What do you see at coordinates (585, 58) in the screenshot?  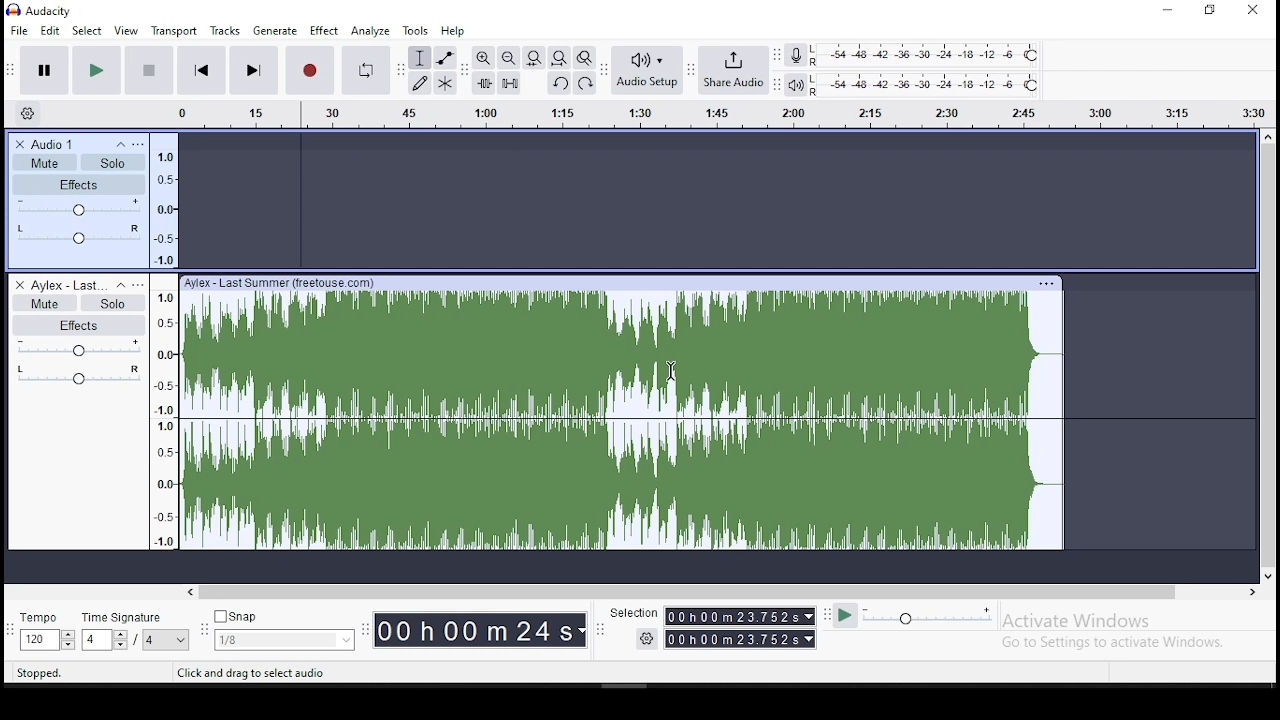 I see `zoom toggle` at bounding box center [585, 58].